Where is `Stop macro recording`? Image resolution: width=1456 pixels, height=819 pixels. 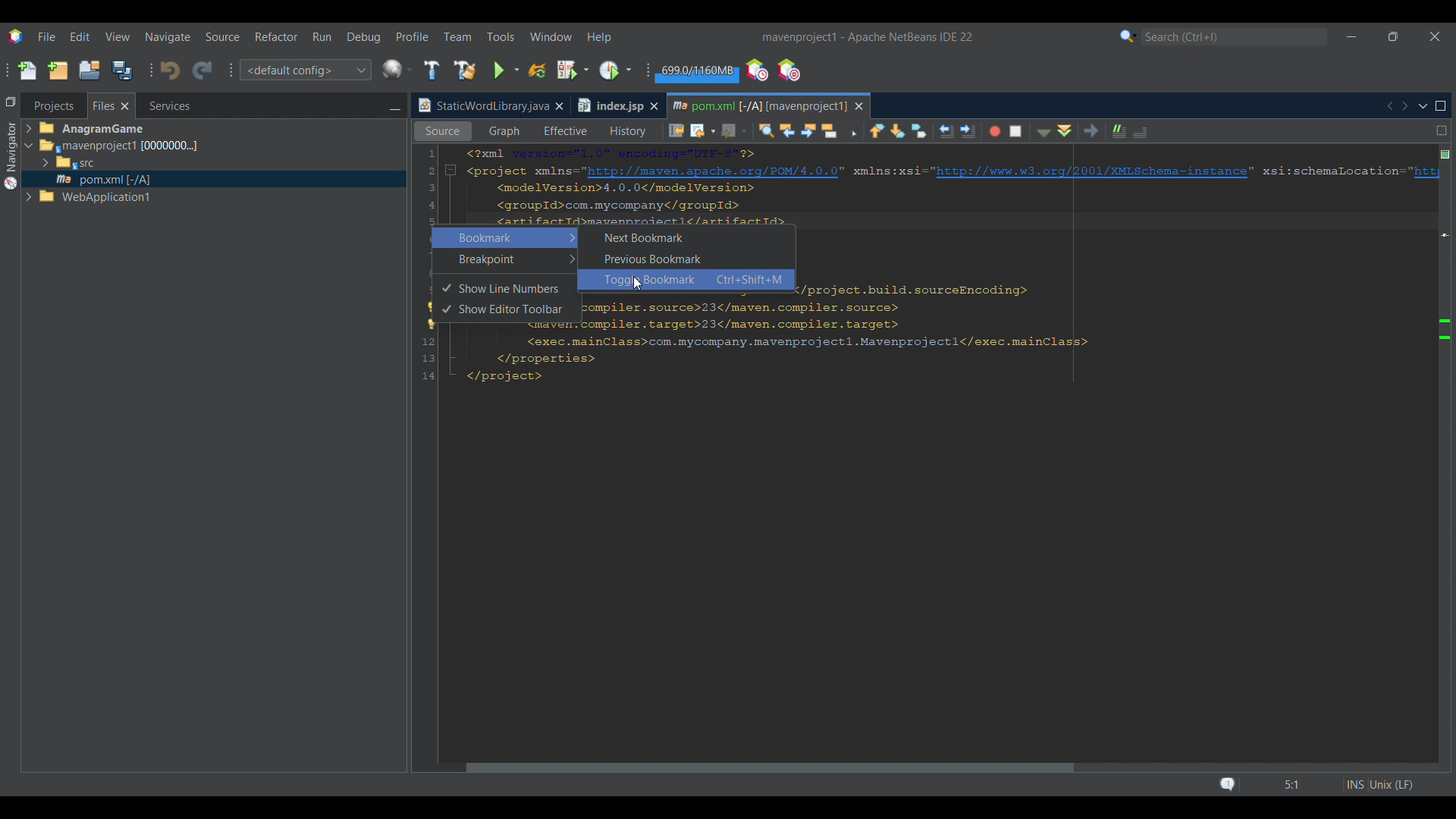
Stop macro recording is located at coordinates (1019, 130).